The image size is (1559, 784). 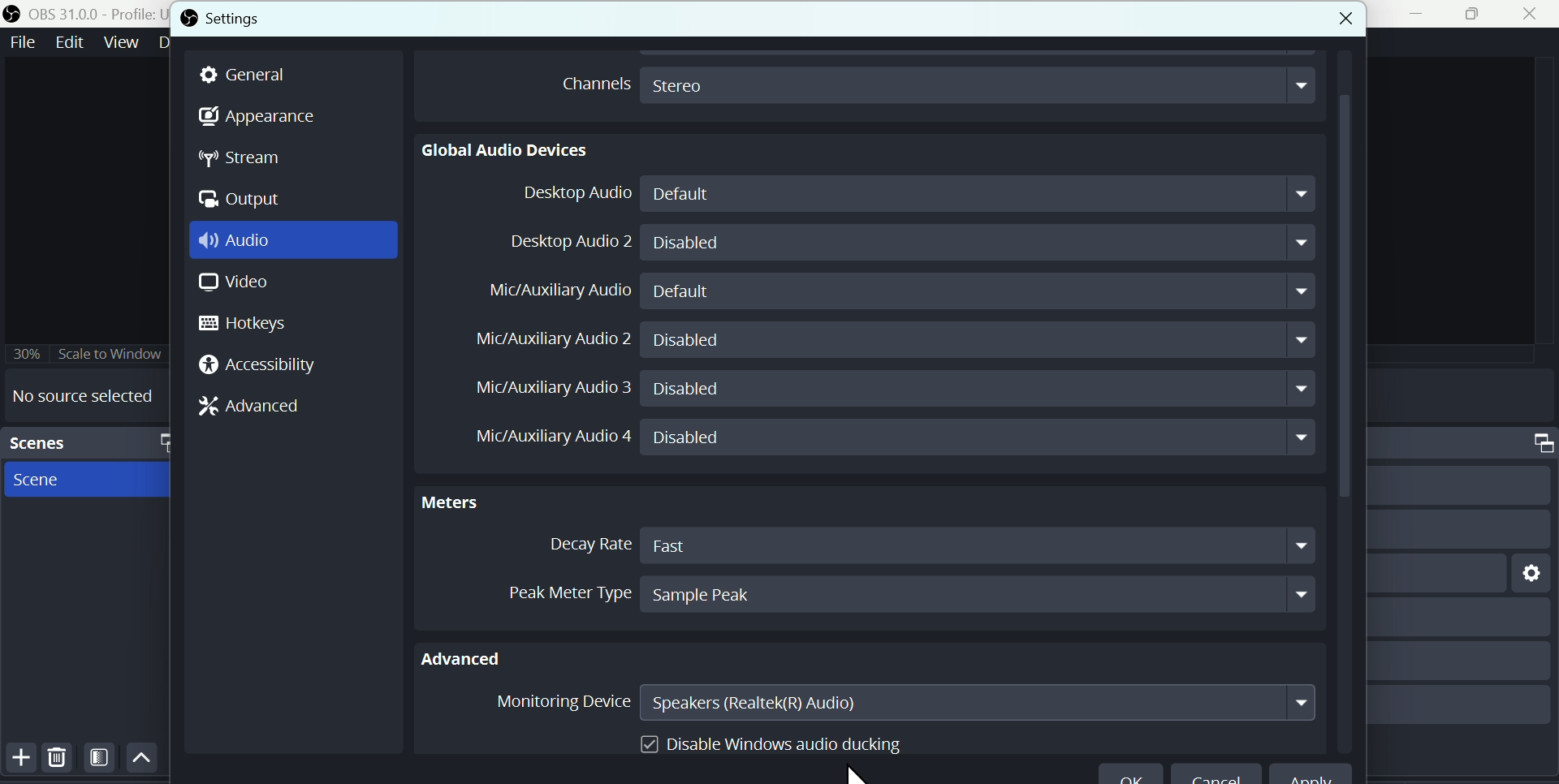 What do you see at coordinates (188, 18) in the screenshot?
I see `OBS logo` at bounding box center [188, 18].